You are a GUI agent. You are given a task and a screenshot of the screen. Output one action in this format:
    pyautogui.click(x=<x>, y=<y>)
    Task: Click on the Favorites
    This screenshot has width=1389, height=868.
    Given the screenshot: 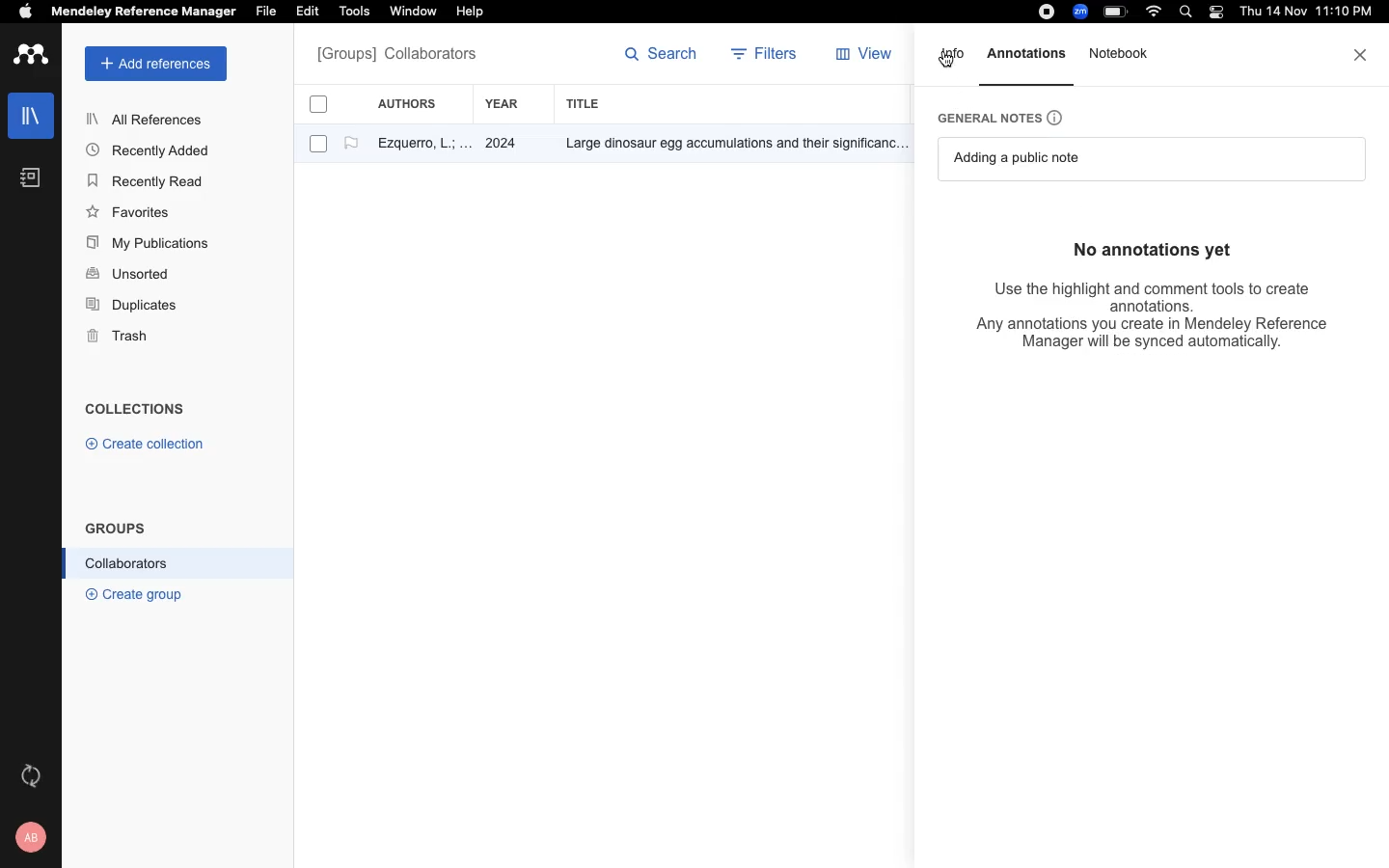 What is the action you would take?
    pyautogui.click(x=132, y=211)
    